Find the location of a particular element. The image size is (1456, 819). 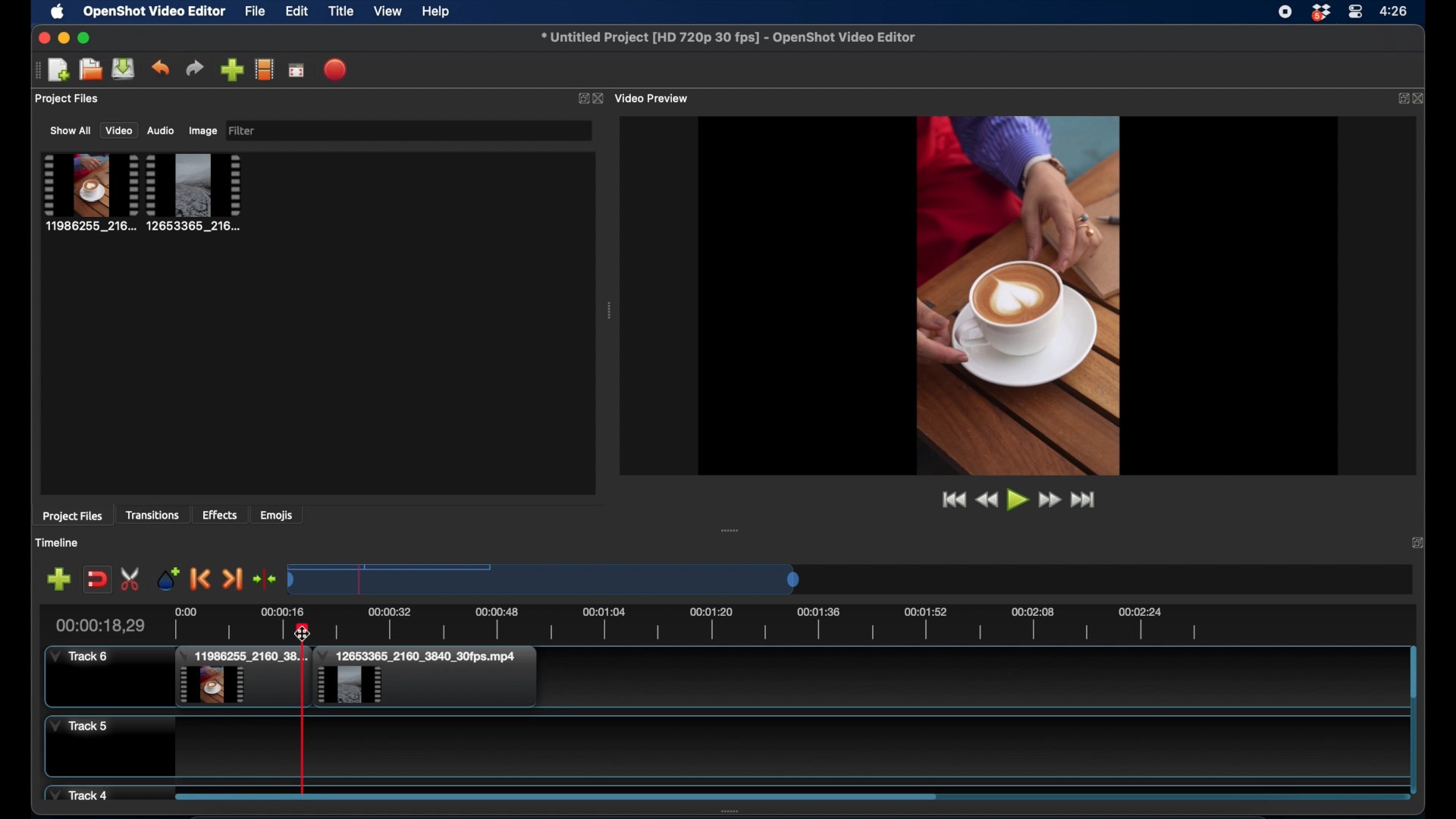

maximize is located at coordinates (84, 38).